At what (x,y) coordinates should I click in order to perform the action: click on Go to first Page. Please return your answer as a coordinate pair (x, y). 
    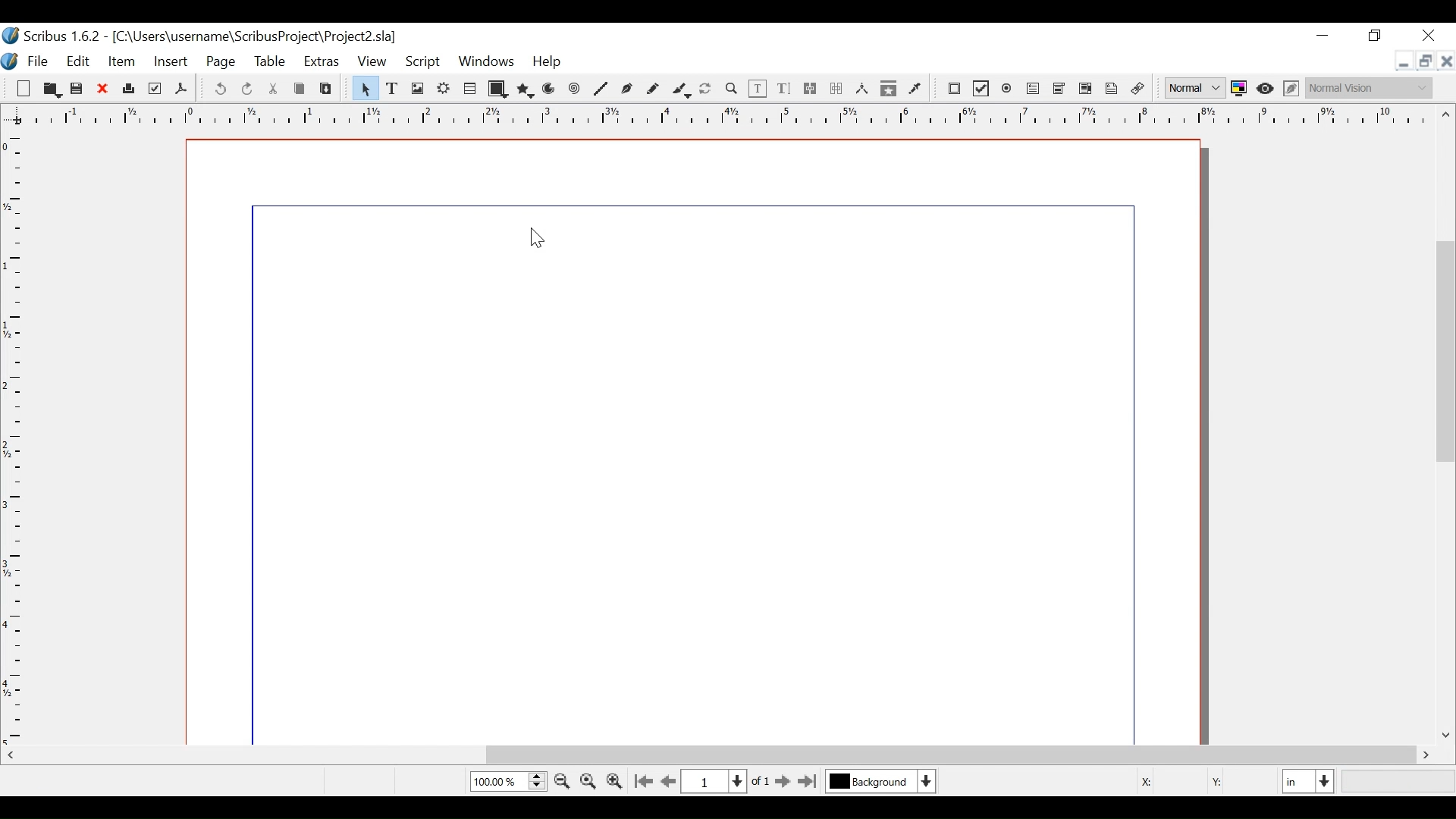
    Looking at the image, I should click on (645, 781).